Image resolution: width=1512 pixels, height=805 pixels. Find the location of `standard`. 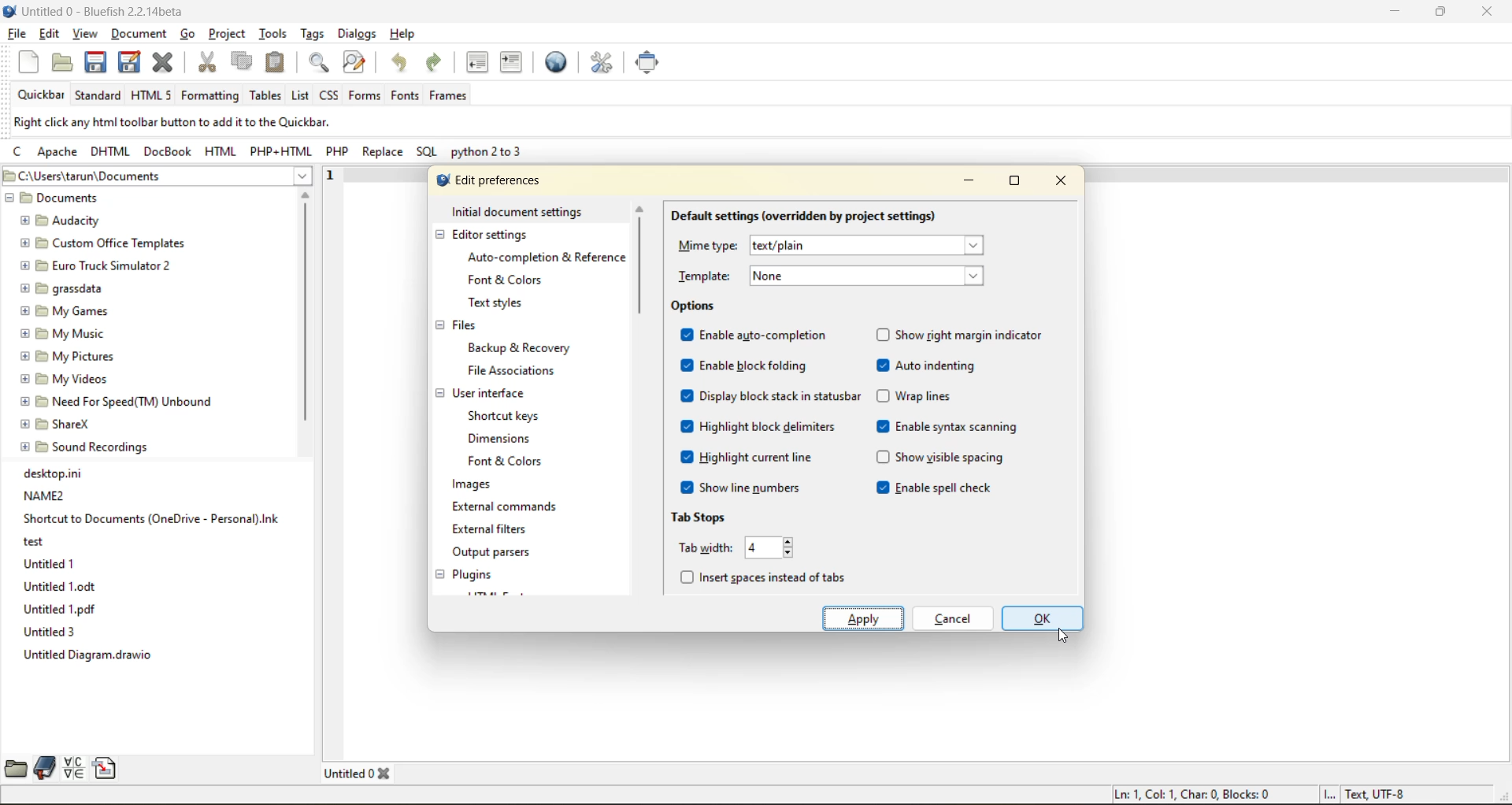

standard is located at coordinates (98, 98).